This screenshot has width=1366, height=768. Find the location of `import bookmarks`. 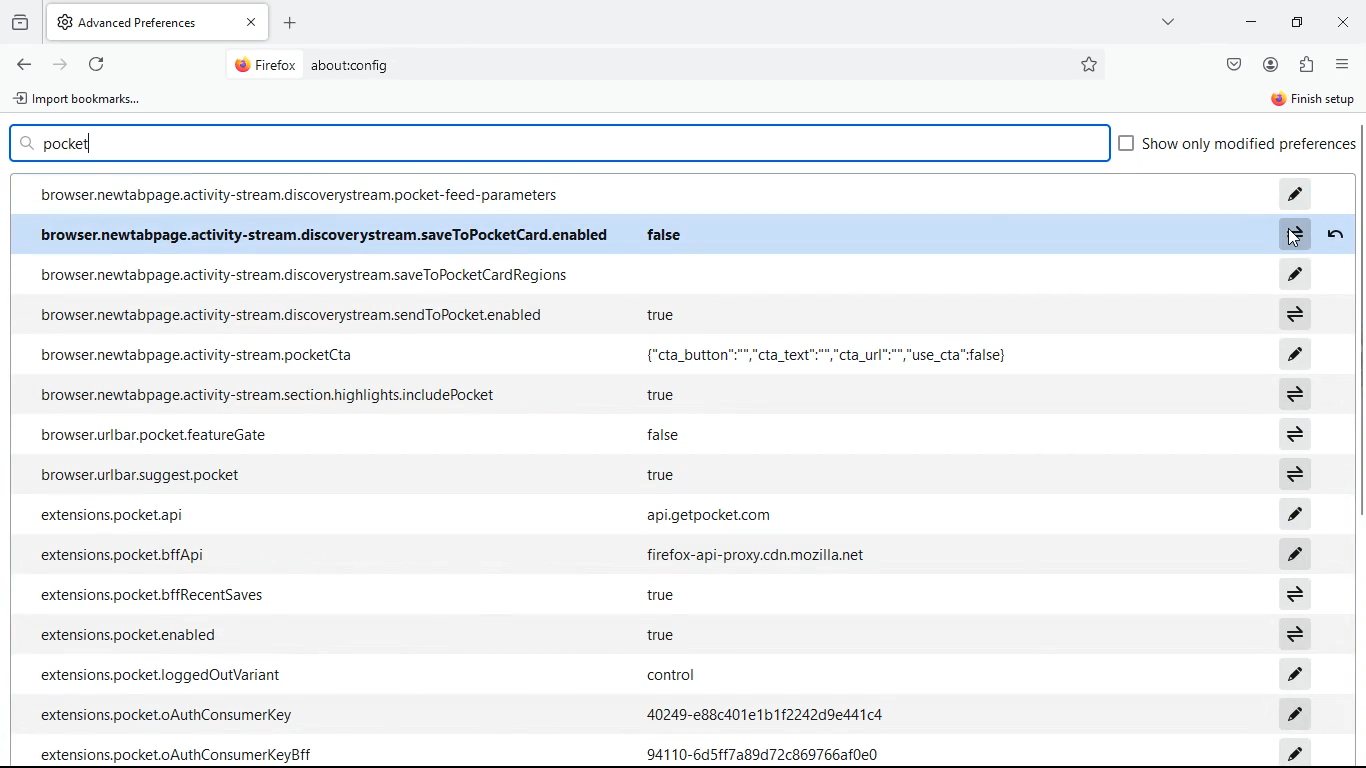

import bookmarks is located at coordinates (80, 100).